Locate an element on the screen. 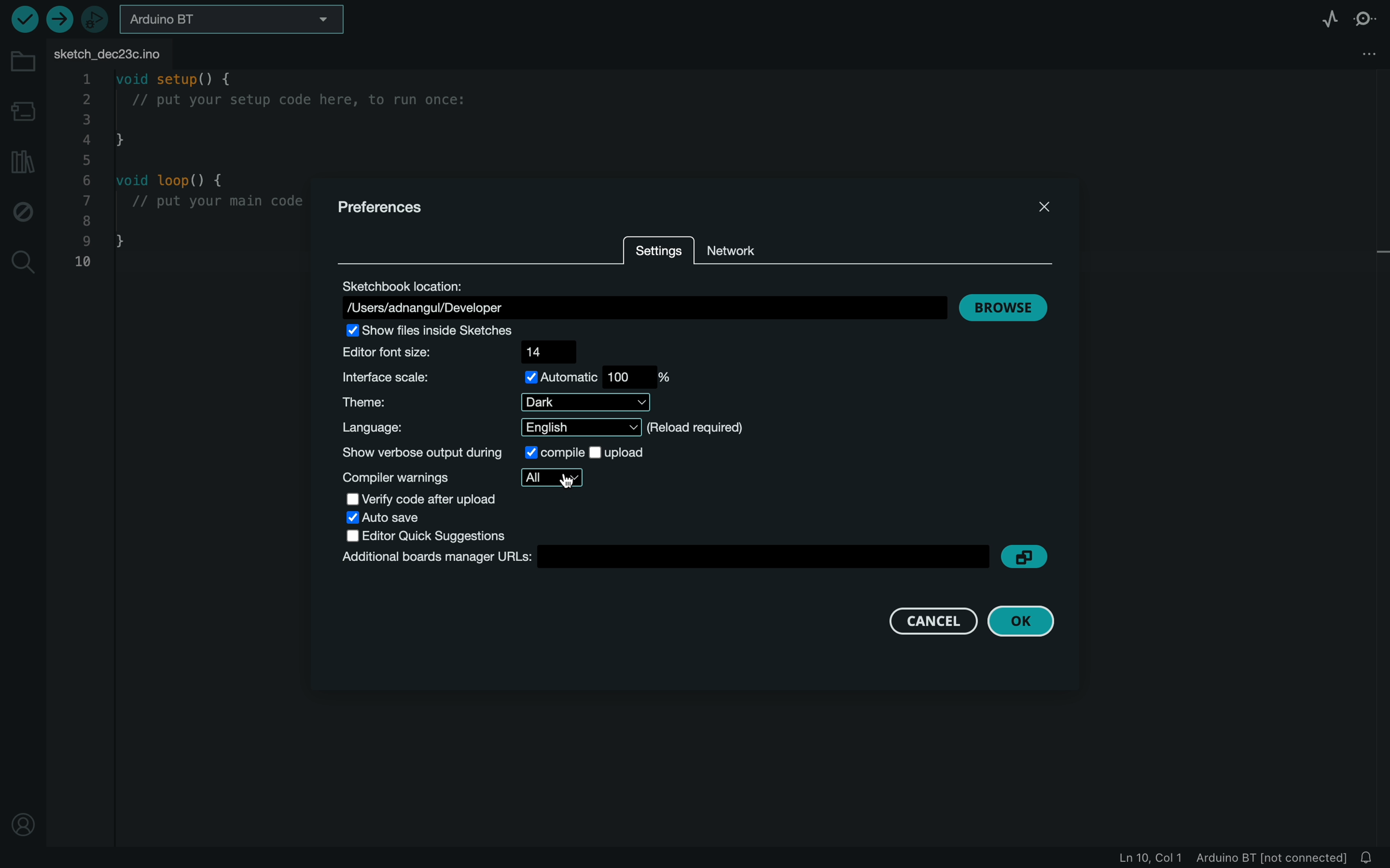 This screenshot has width=1390, height=868. preferences is located at coordinates (391, 210).